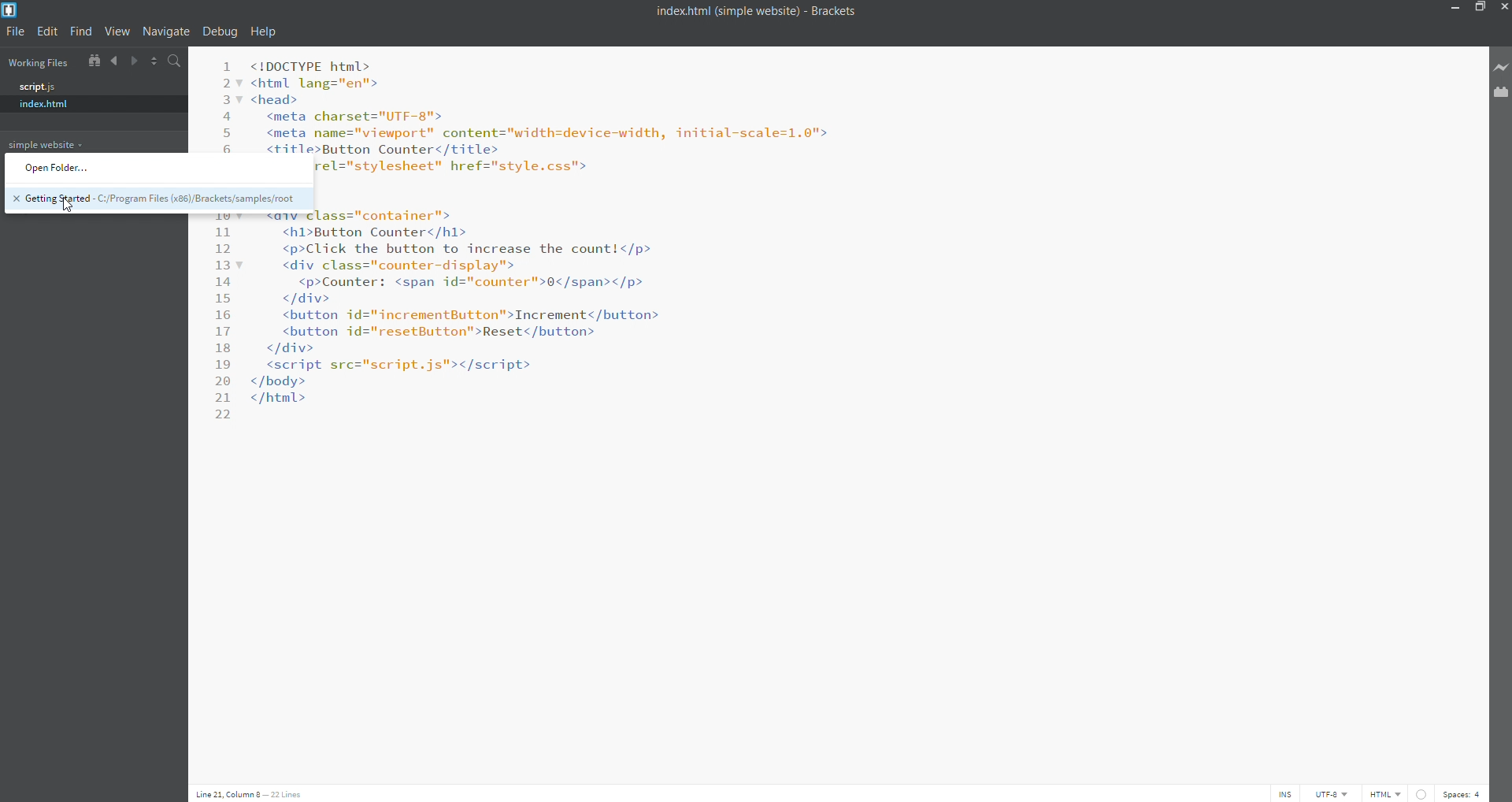 This screenshot has height=802, width=1512. What do you see at coordinates (55, 143) in the screenshot?
I see `simple website` at bounding box center [55, 143].